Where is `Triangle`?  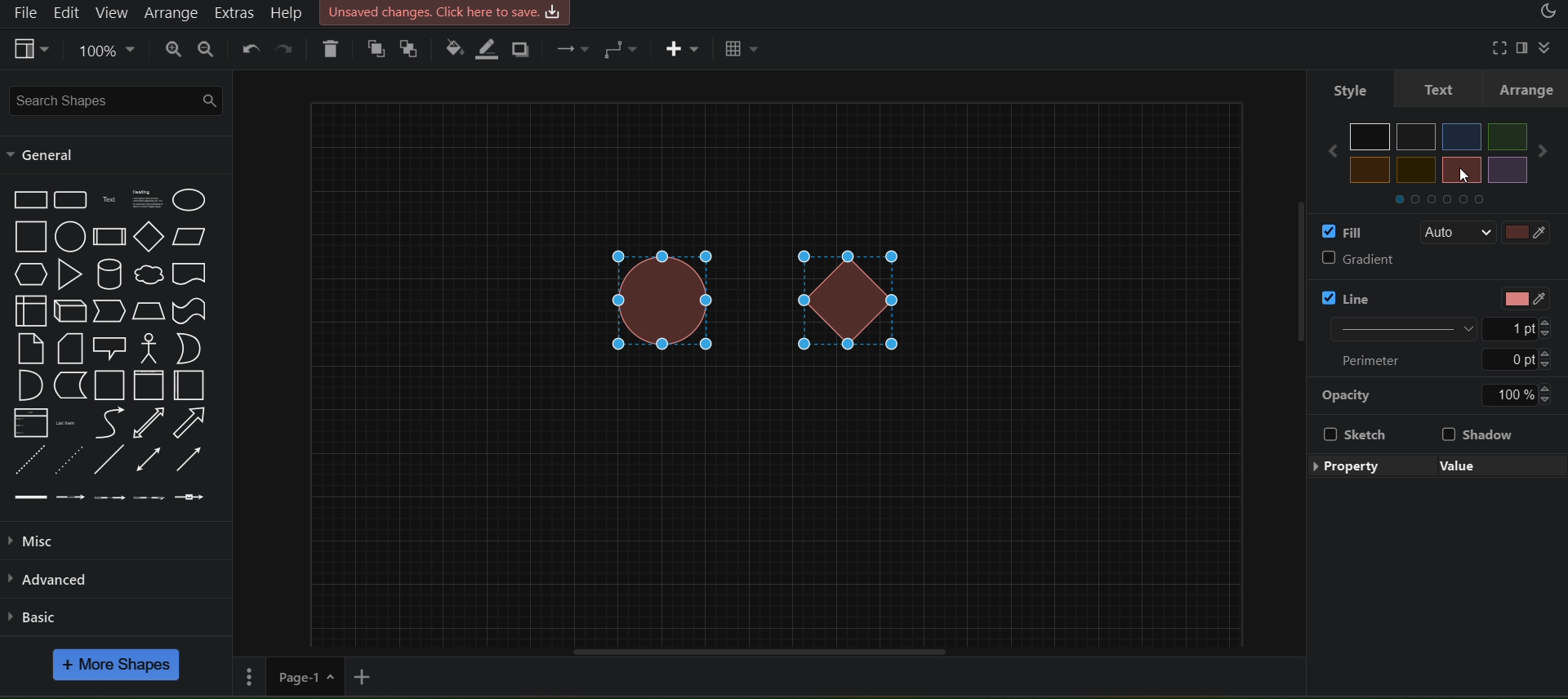
Triangle is located at coordinates (68, 274).